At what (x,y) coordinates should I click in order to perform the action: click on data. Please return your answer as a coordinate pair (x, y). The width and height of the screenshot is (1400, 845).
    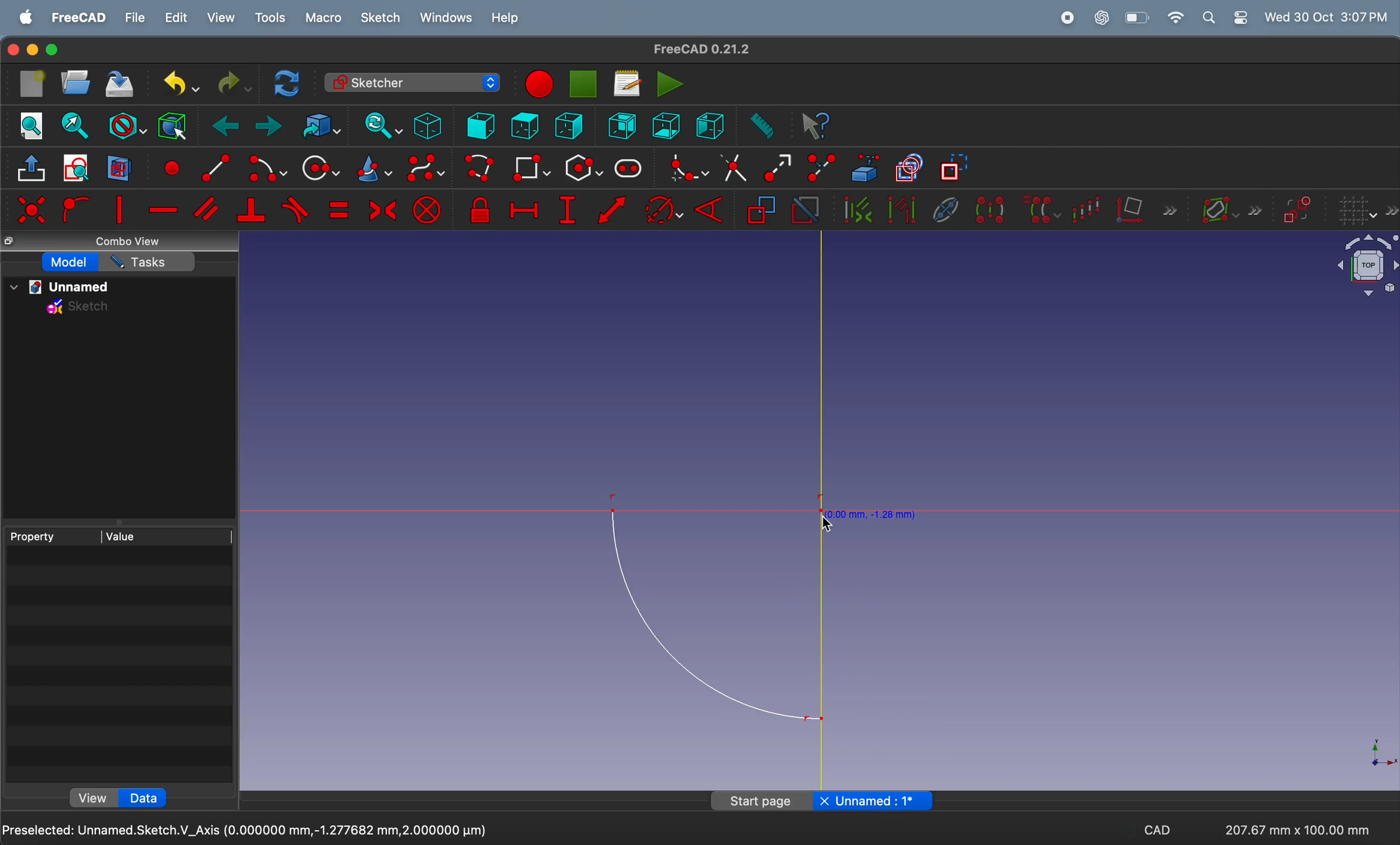
    Looking at the image, I should click on (149, 797).